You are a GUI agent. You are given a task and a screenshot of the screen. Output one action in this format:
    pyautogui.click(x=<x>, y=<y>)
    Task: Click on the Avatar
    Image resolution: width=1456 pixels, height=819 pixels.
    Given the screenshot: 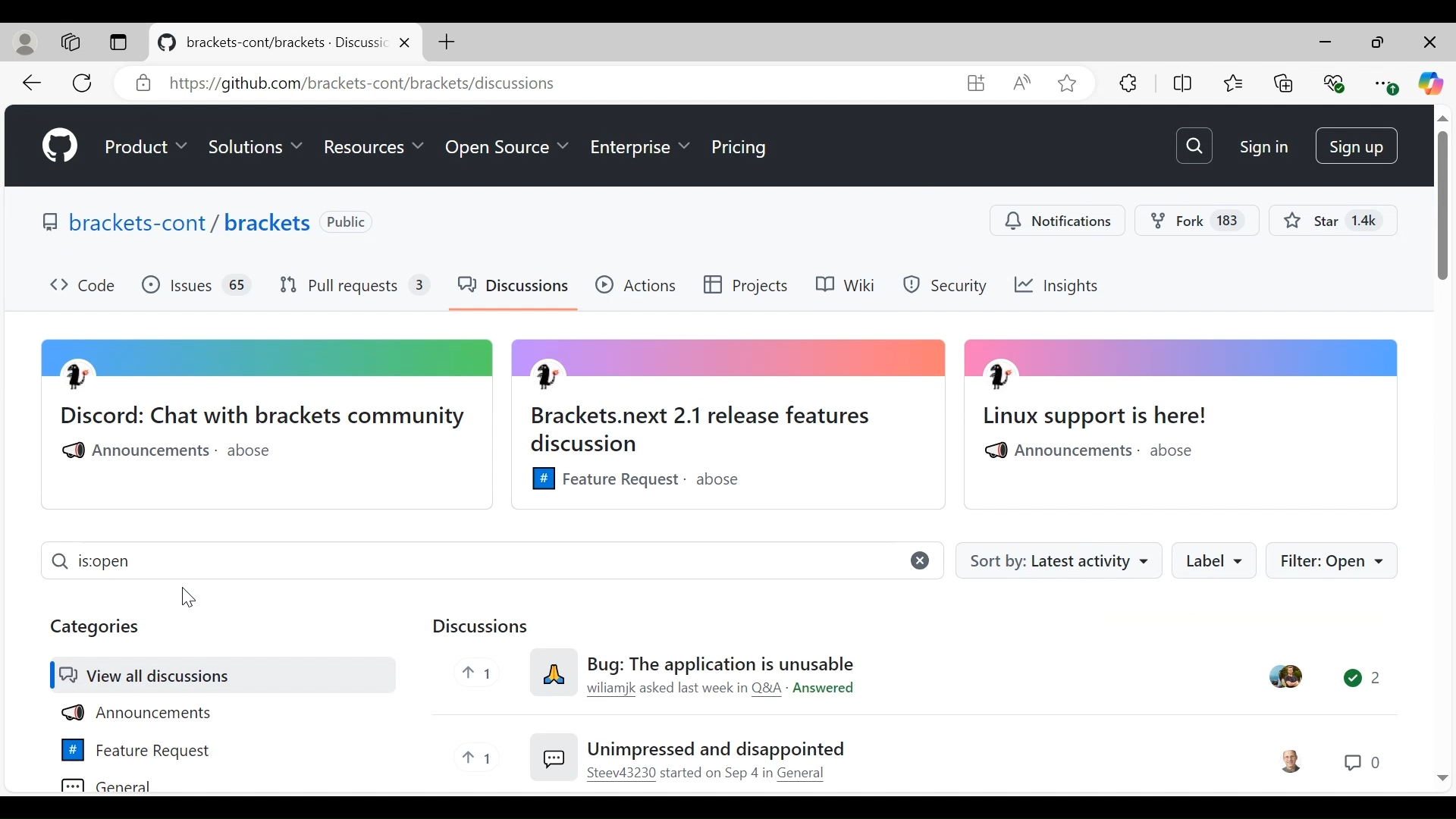 What is the action you would take?
    pyautogui.click(x=730, y=369)
    